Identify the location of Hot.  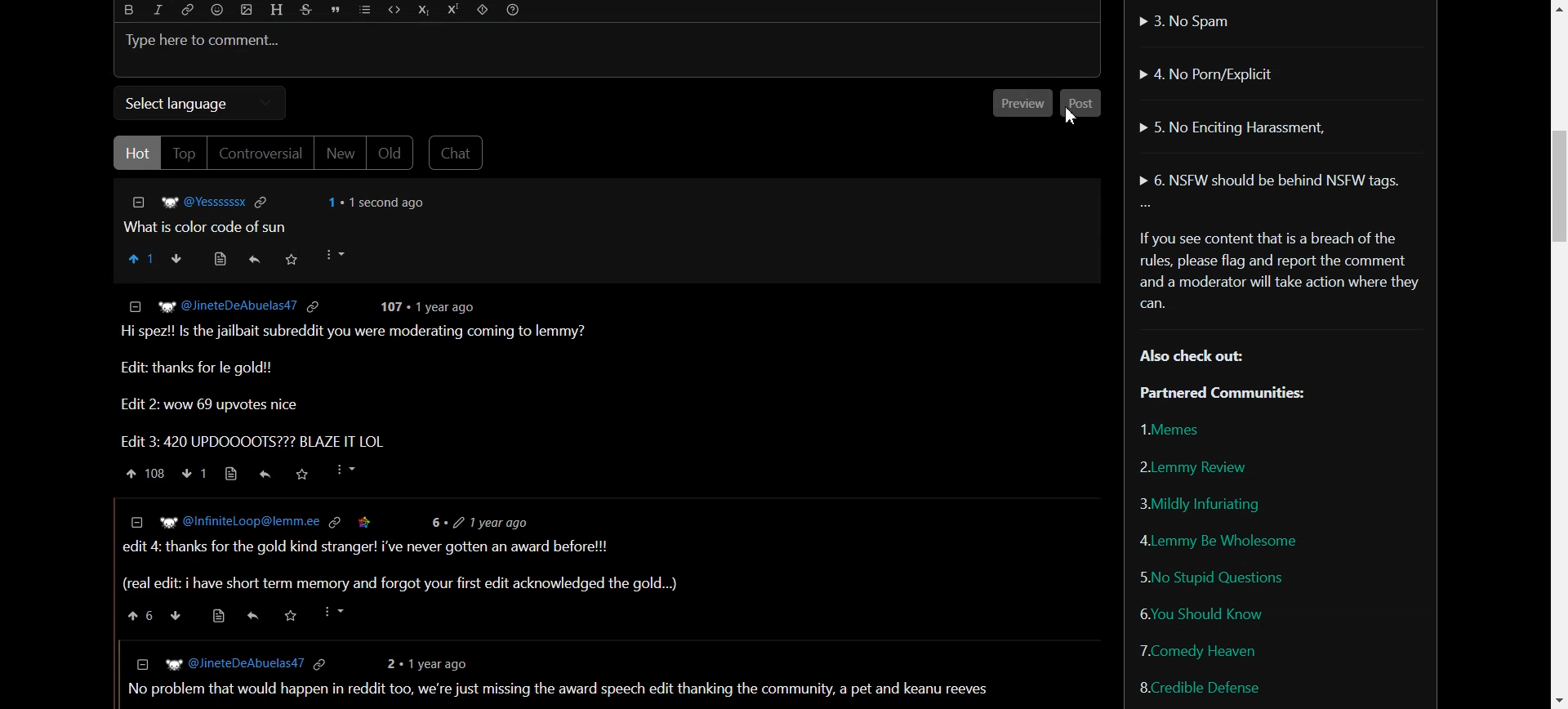
(135, 153).